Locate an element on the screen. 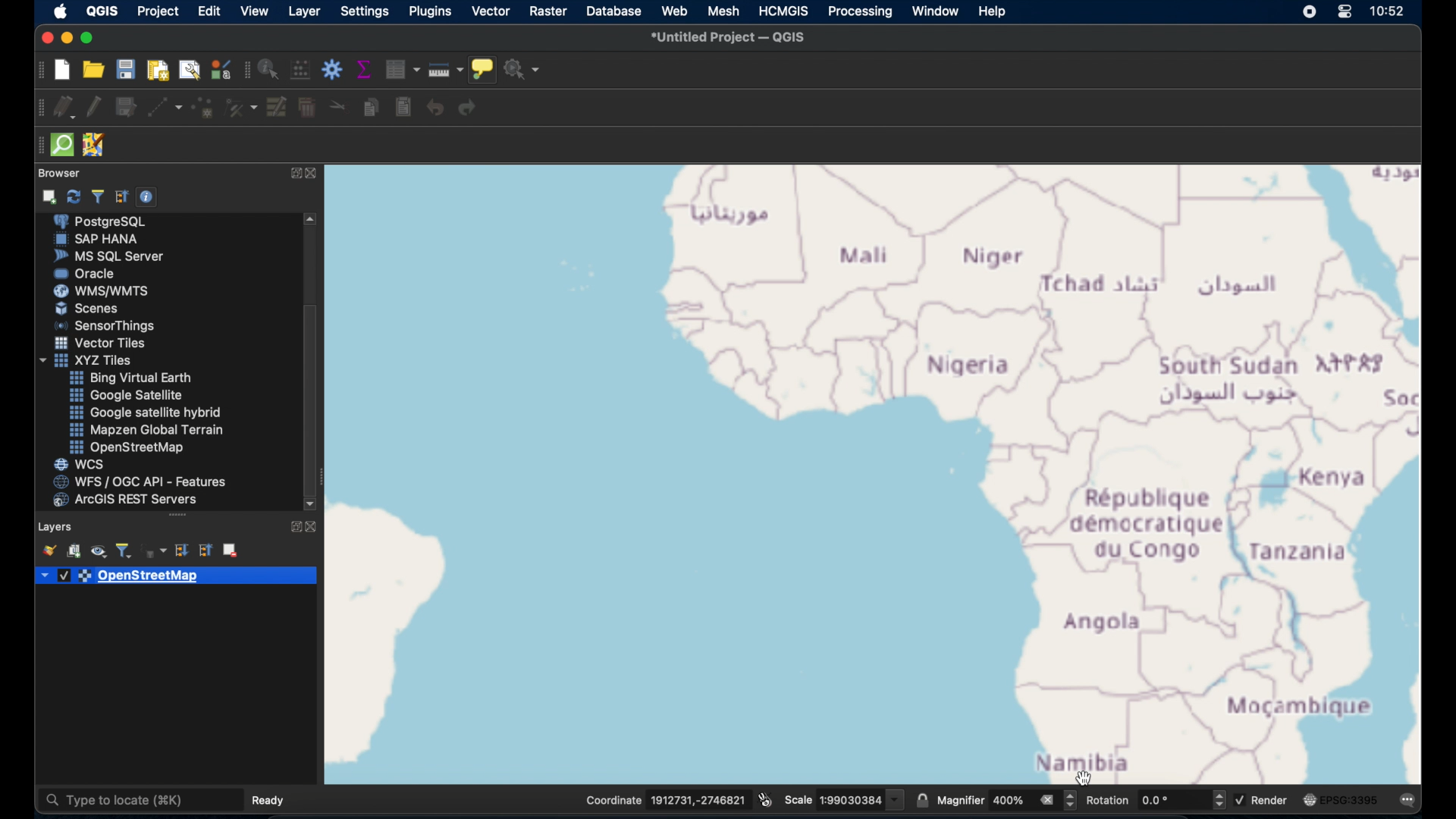 Image resolution: width=1456 pixels, height=819 pixels. layers is located at coordinates (57, 525).